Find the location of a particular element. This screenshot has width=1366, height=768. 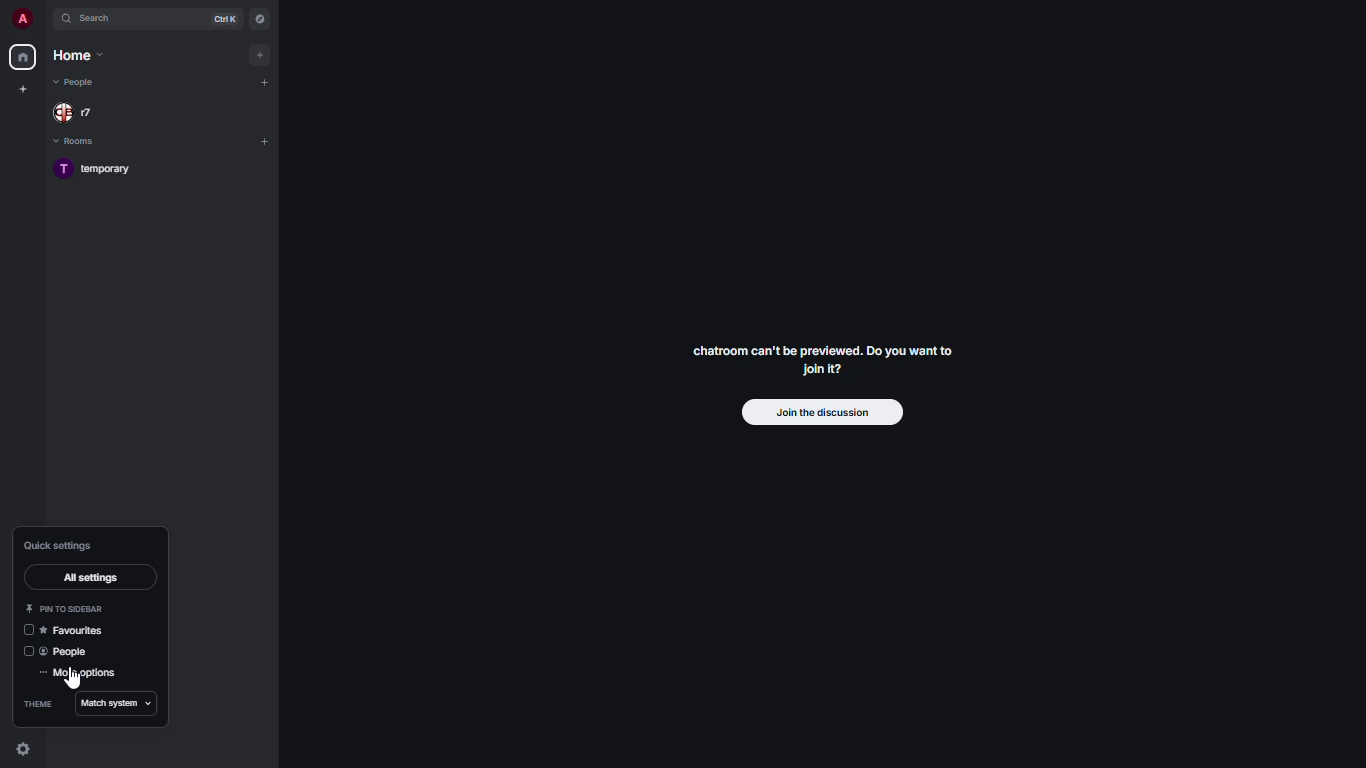

favorites is located at coordinates (79, 629).